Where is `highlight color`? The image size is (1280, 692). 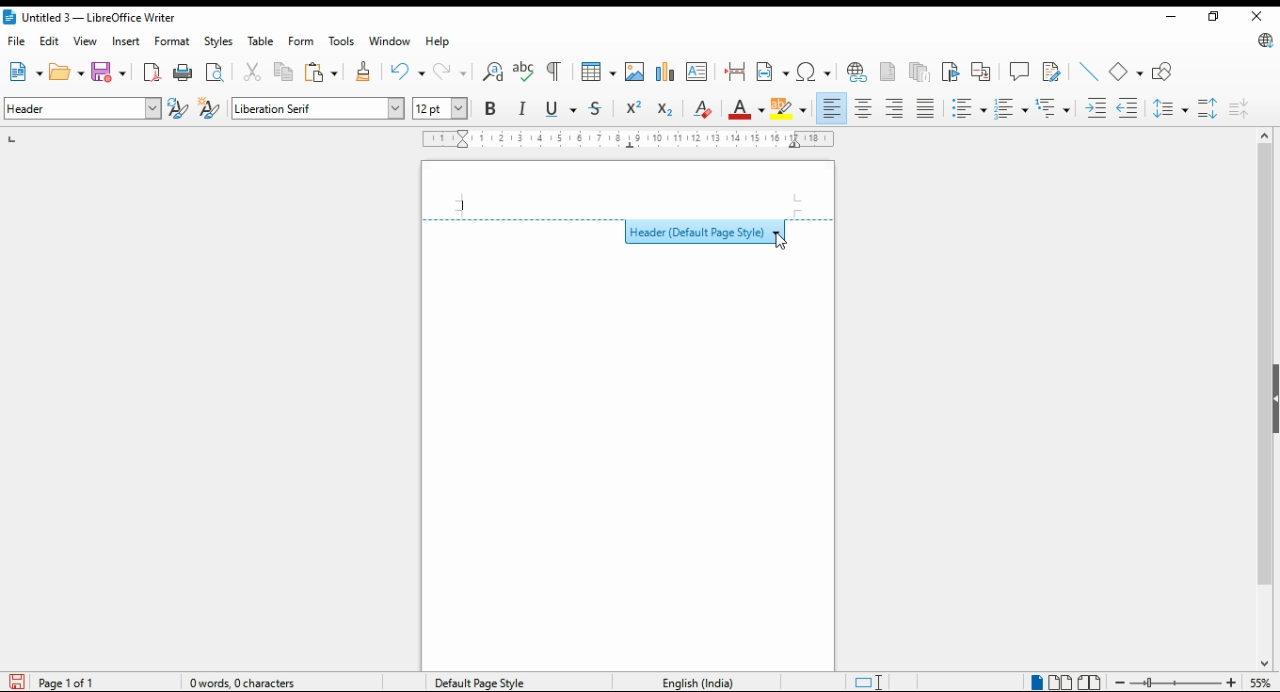
highlight color is located at coordinates (792, 110).